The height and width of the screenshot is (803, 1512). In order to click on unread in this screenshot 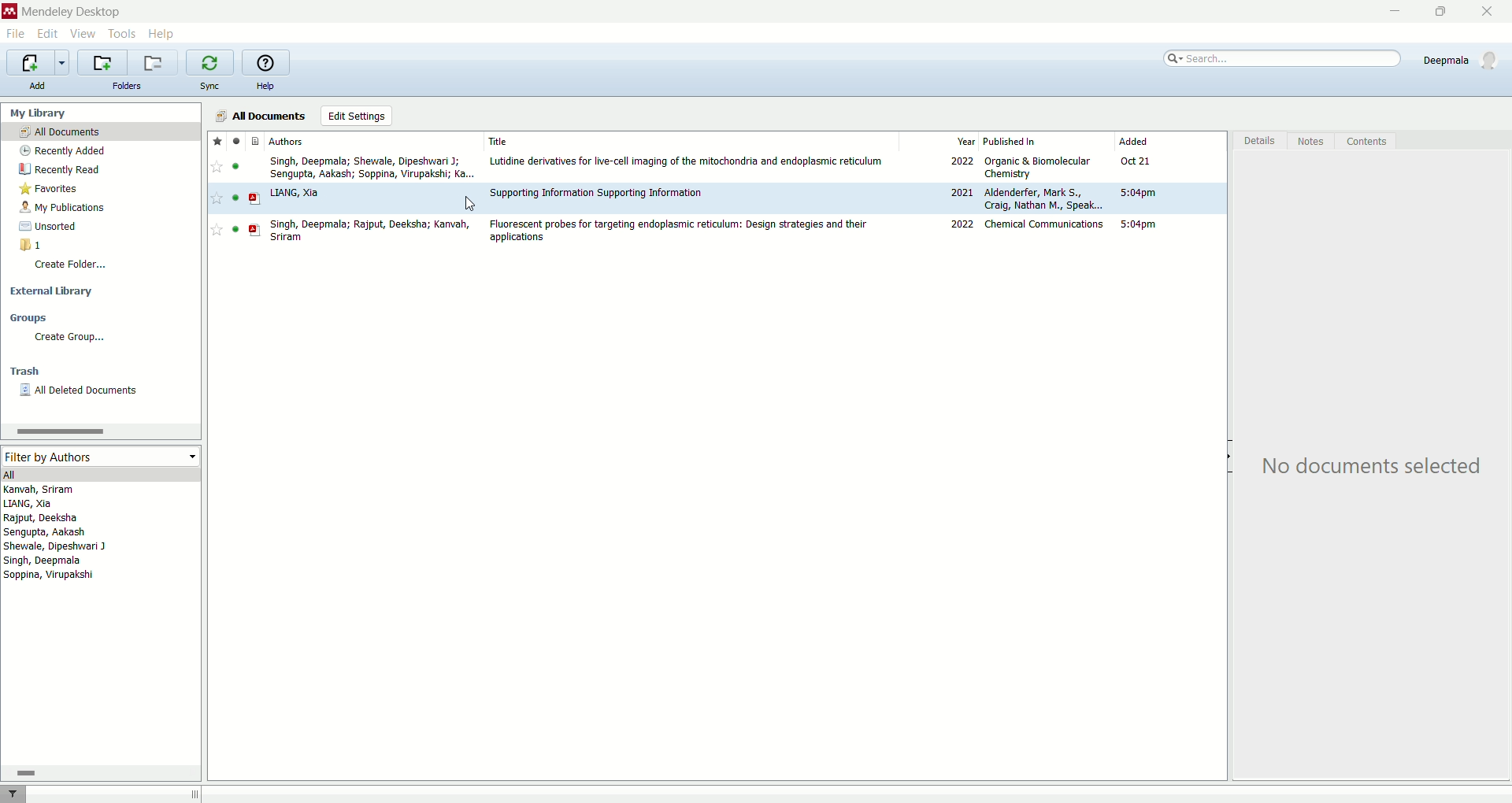, I will do `click(235, 198)`.